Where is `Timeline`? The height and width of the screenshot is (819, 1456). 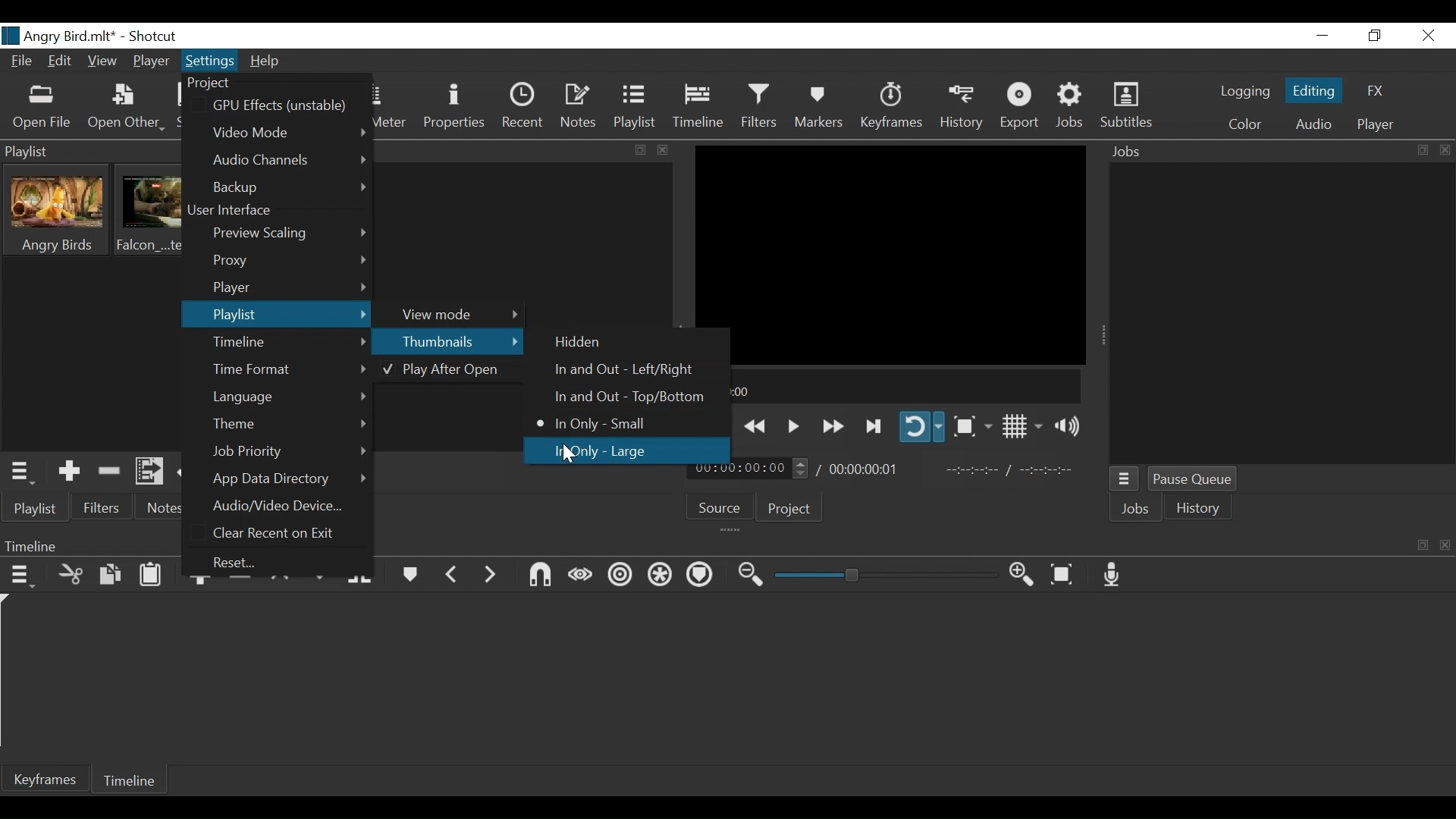
Timeline is located at coordinates (129, 778).